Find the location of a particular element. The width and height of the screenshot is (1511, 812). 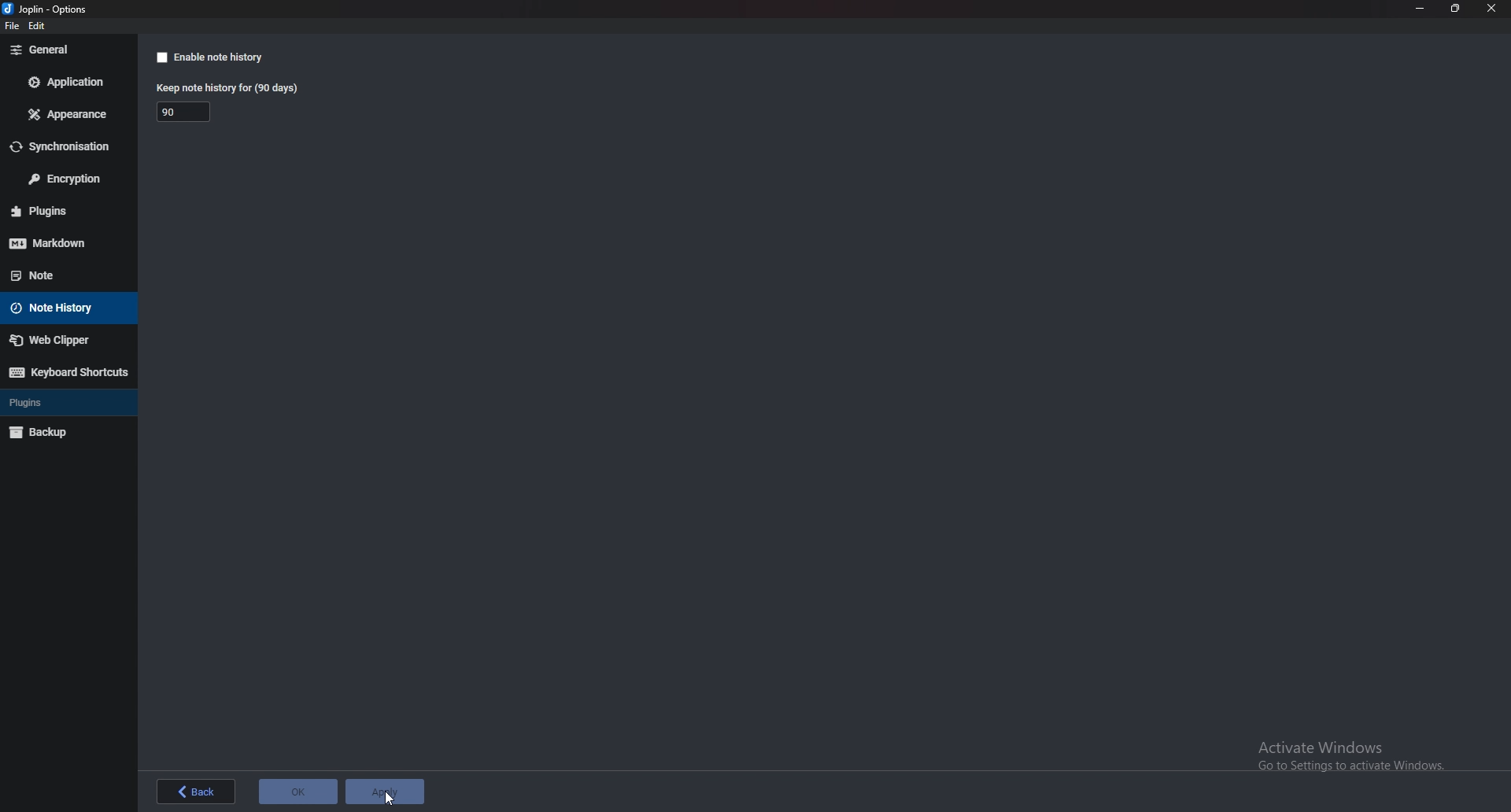

edit is located at coordinates (39, 26).